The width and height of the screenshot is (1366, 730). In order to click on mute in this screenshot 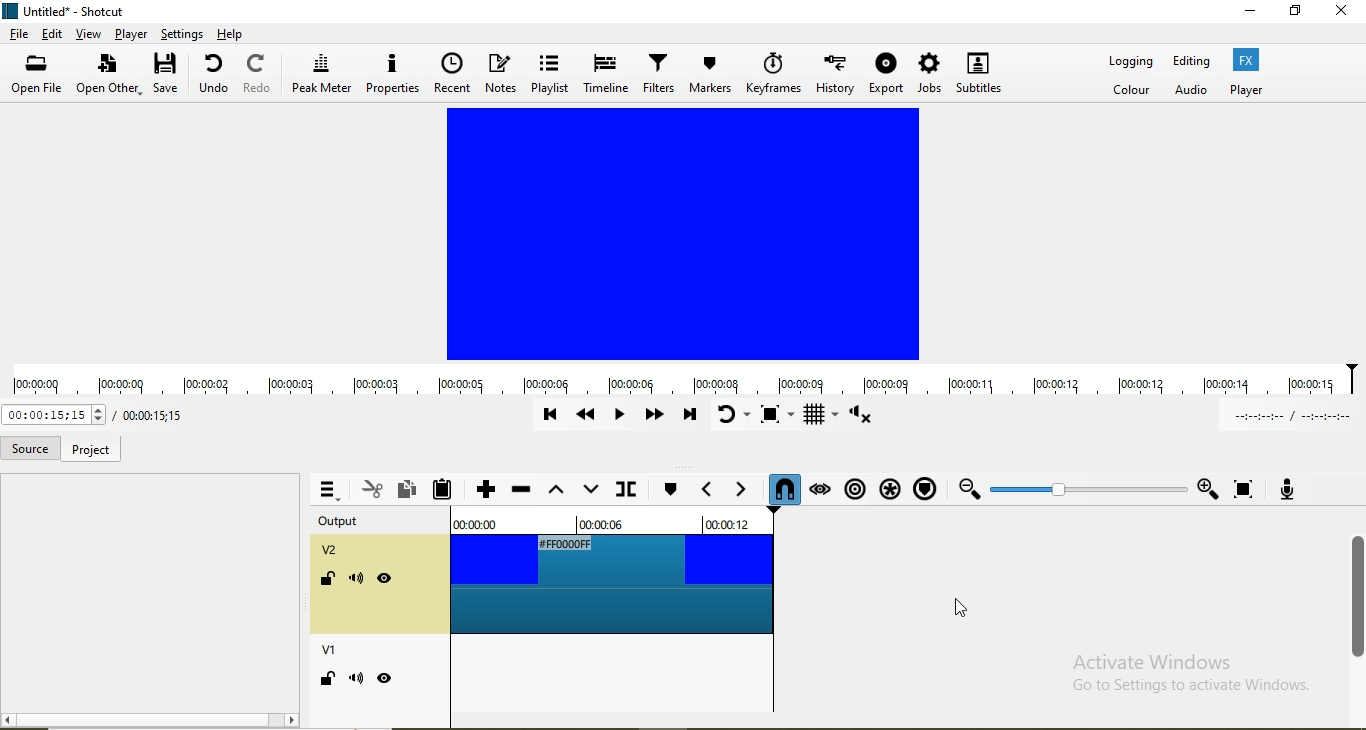, I will do `click(356, 678)`.